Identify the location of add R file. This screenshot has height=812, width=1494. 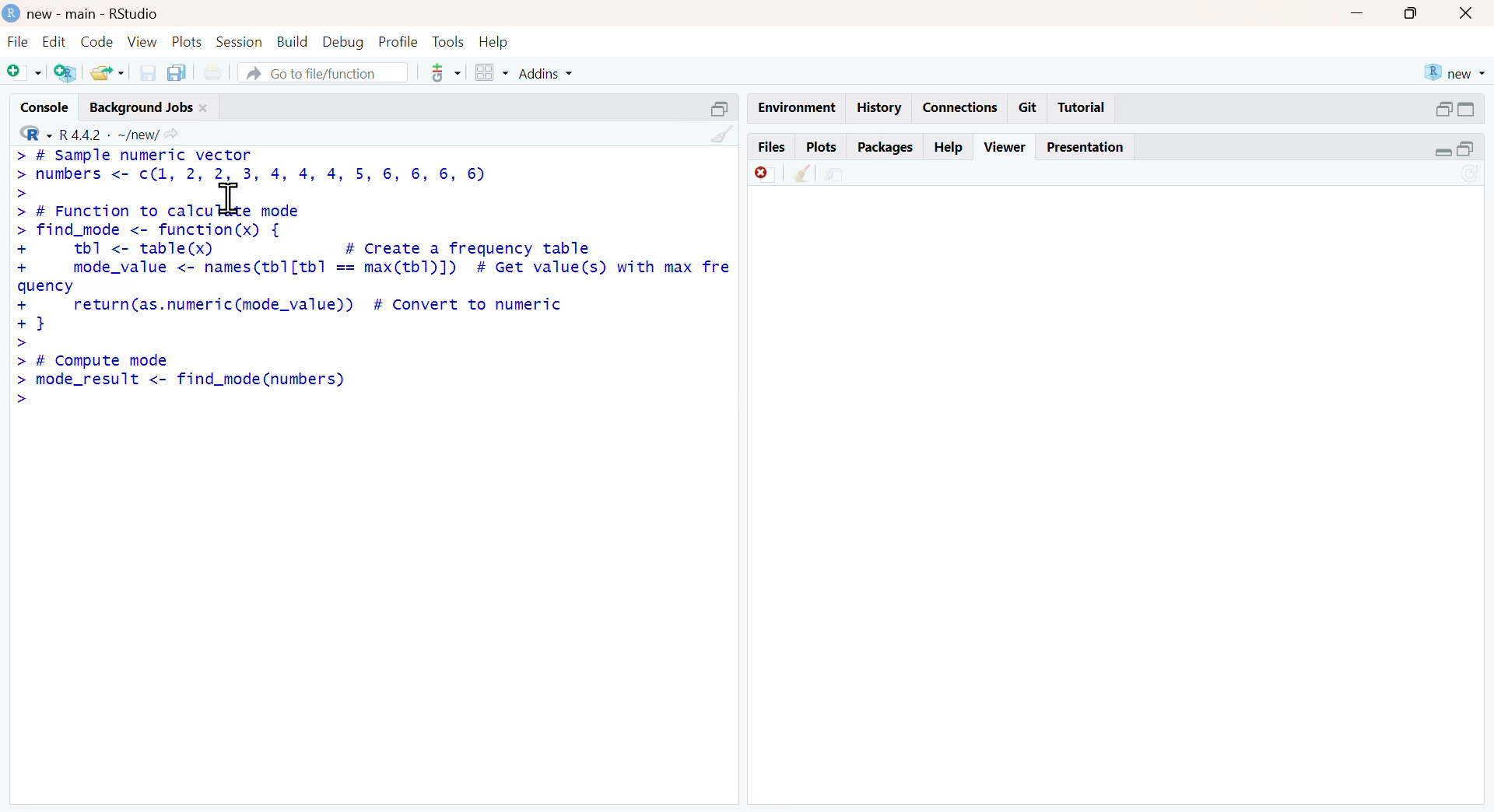
(67, 73).